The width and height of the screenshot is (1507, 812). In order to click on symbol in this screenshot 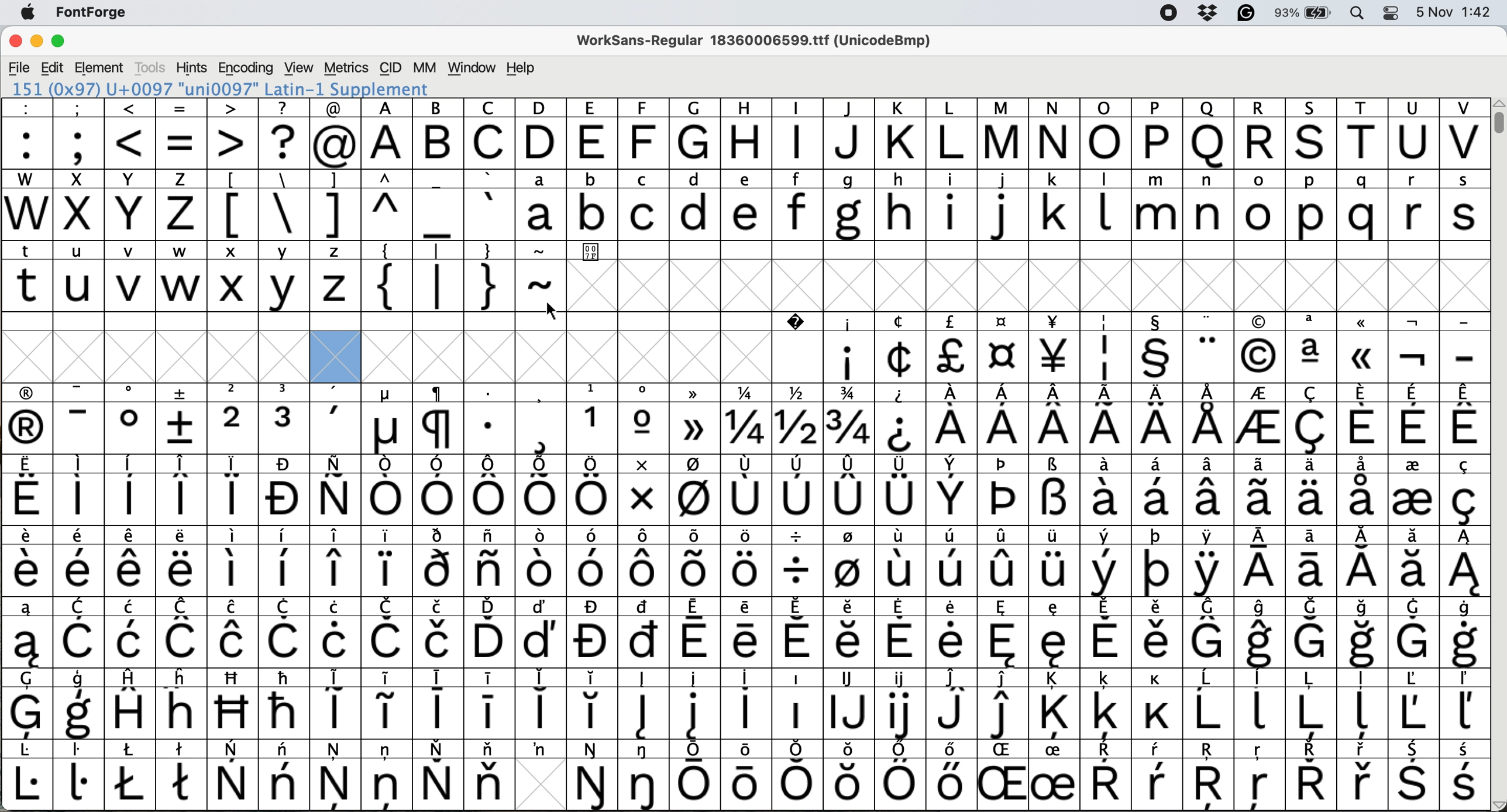, I will do `click(1463, 704)`.